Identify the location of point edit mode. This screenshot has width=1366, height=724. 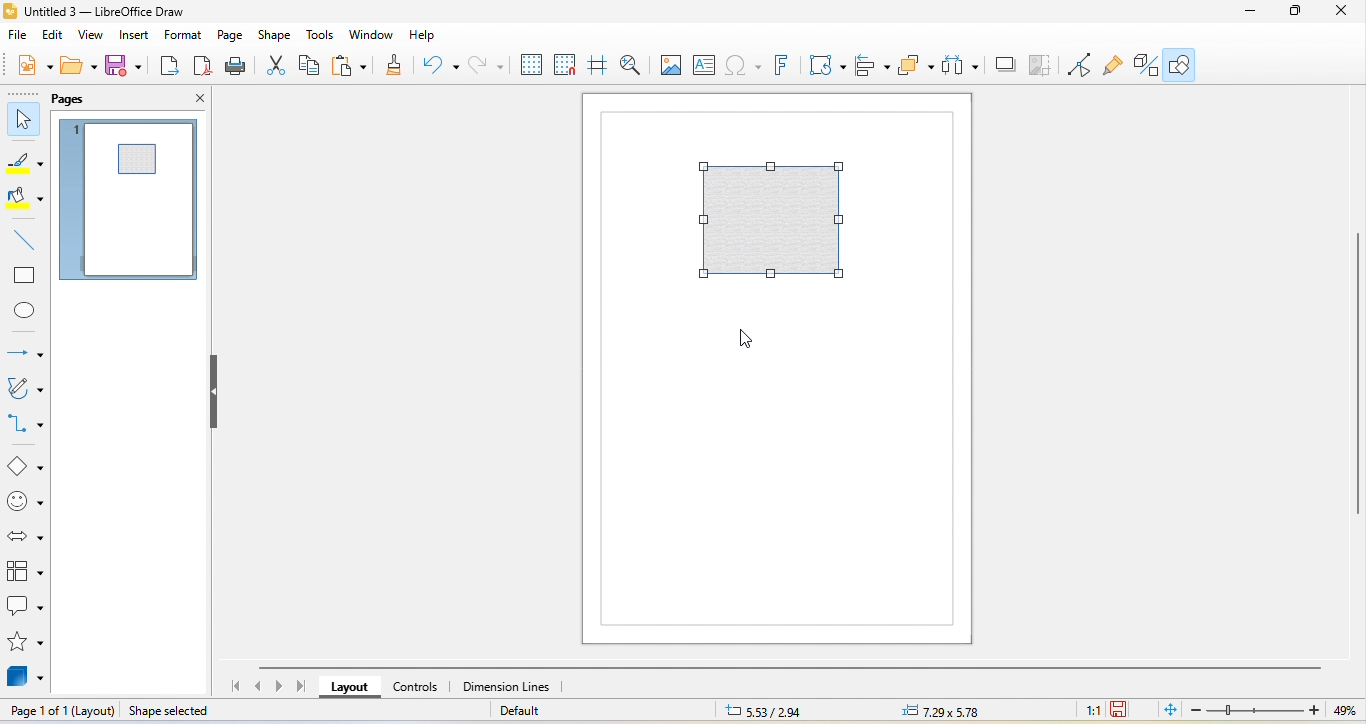
(1079, 65).